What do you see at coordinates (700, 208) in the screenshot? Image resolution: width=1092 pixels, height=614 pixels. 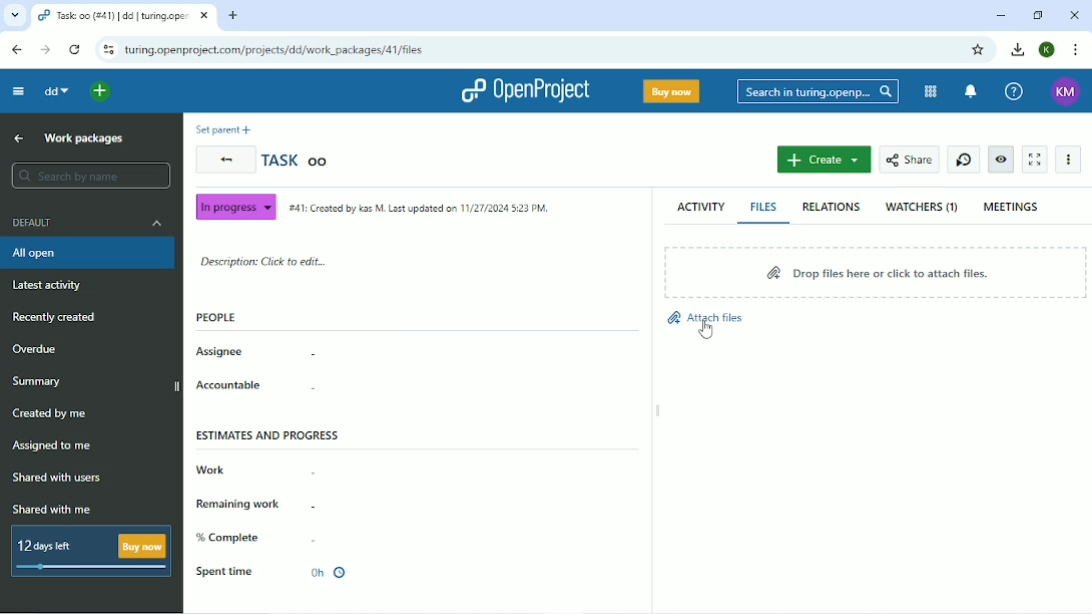 I see `Activity` at bounding box center [700, 208].